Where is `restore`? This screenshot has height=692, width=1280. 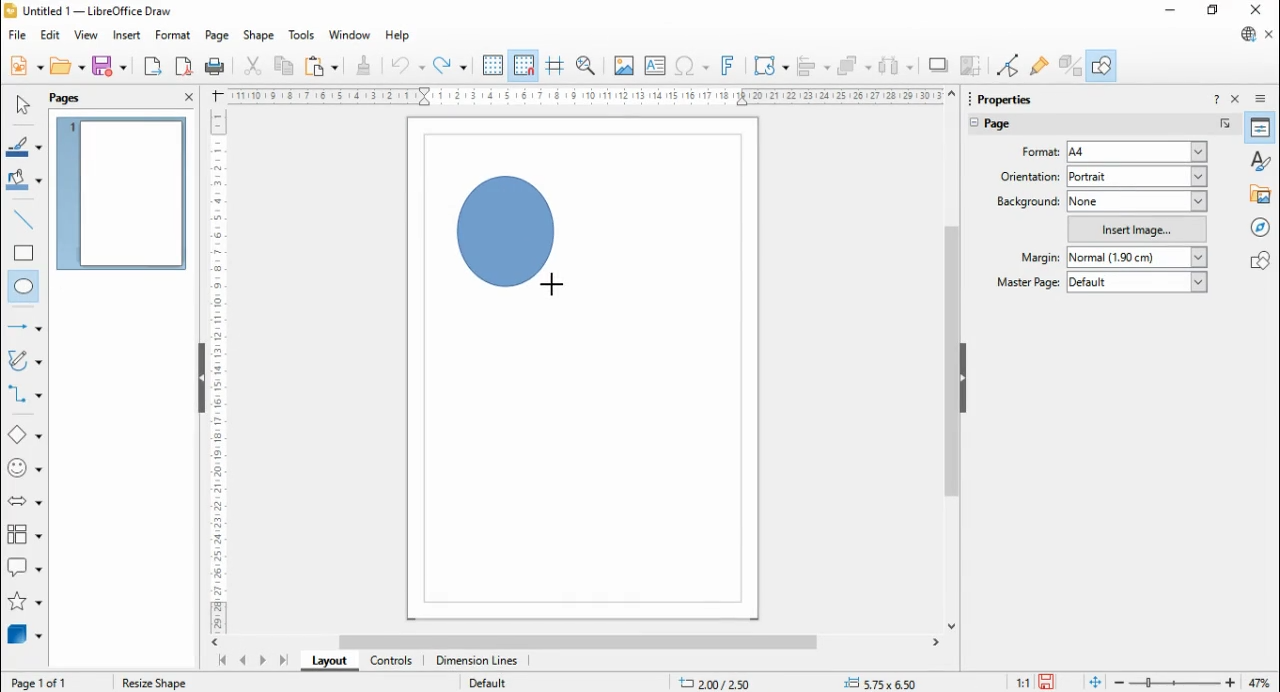
restore is located at coordinates (1214, 11).